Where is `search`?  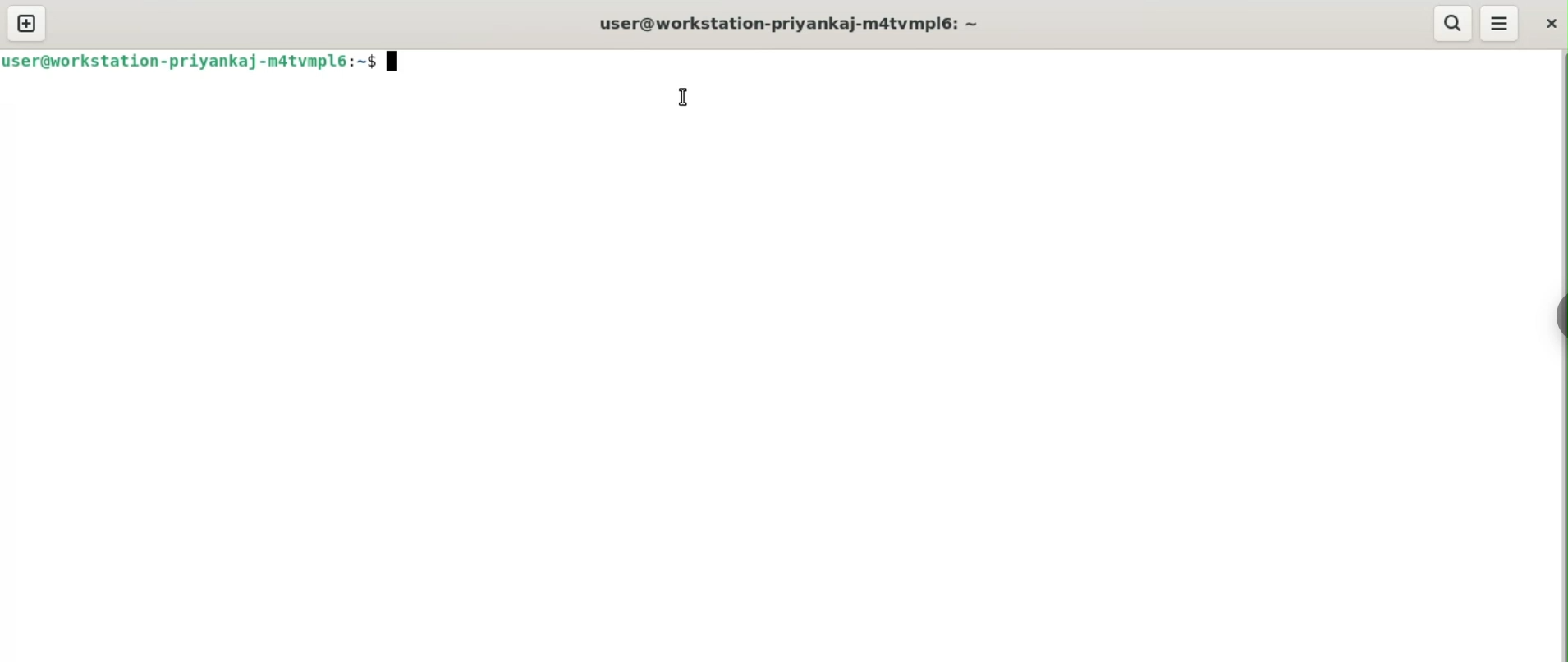
search is located at coordinates (1450, 23).